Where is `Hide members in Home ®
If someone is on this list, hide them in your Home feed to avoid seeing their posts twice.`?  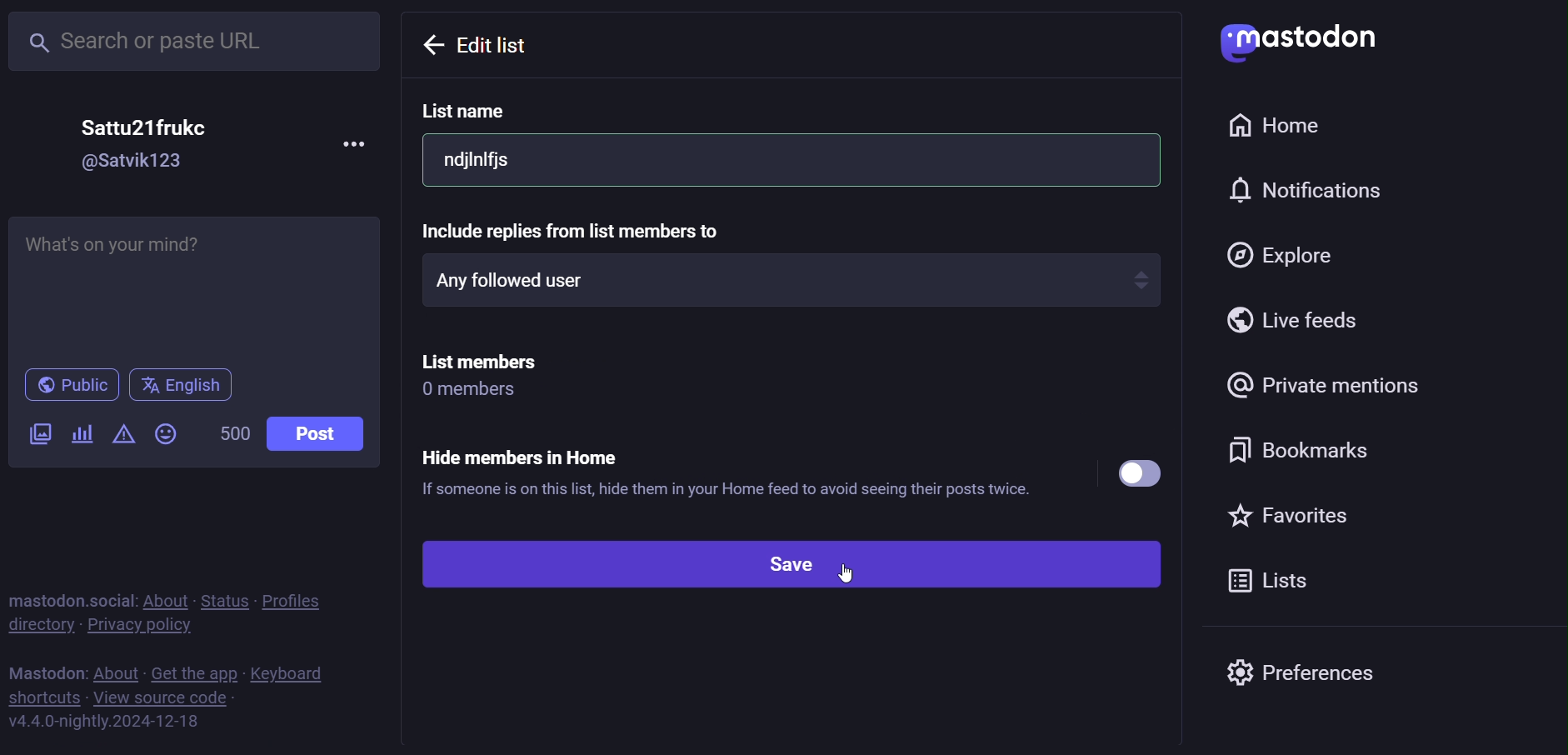 Hide members in Home ®
If someone is on this list, hide them in your Home feed to avoid seeing their posts twice. is located at coordinates (789, 476).